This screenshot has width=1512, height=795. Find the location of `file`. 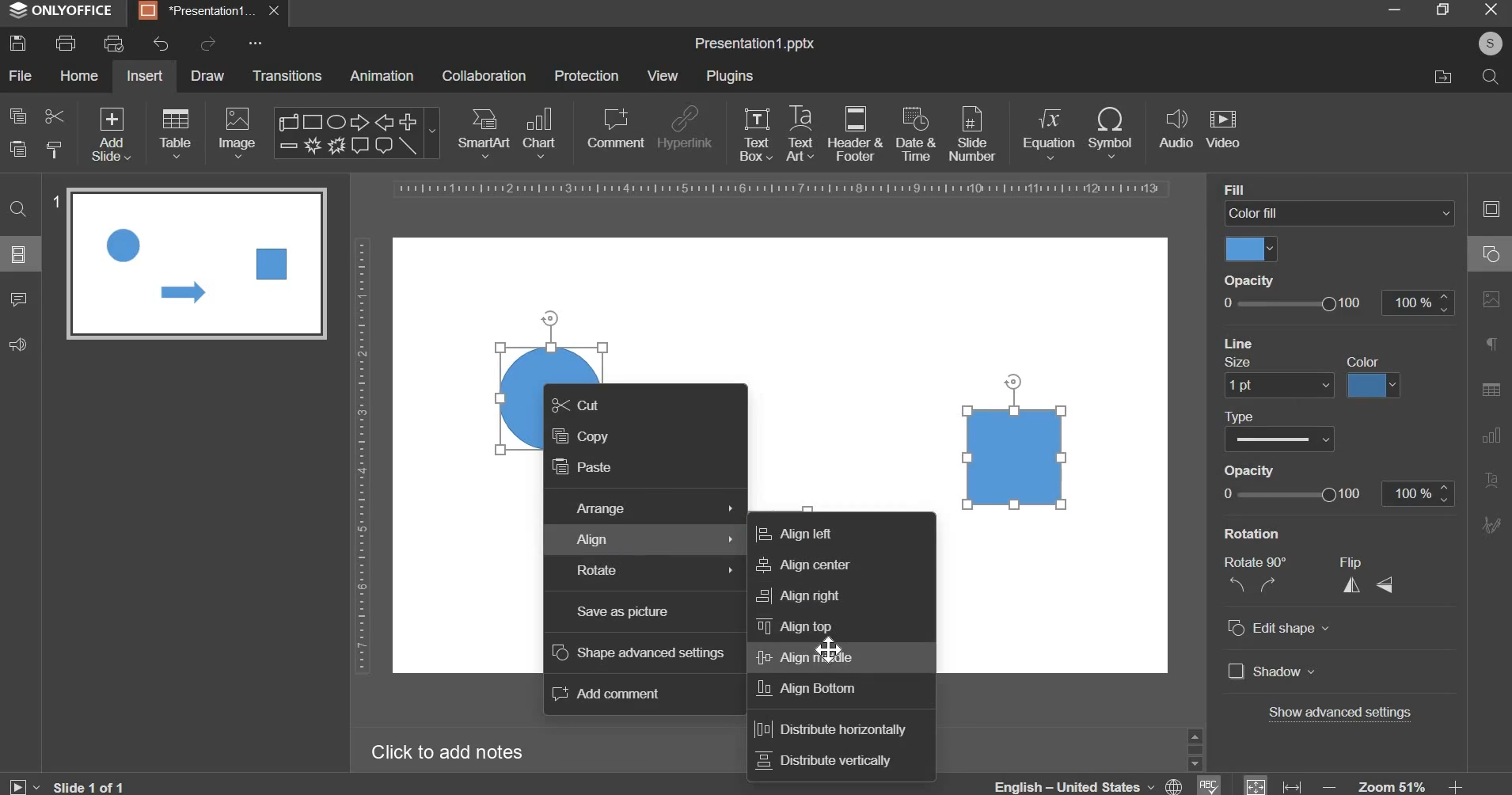

file is located at coordinates (20, 75).